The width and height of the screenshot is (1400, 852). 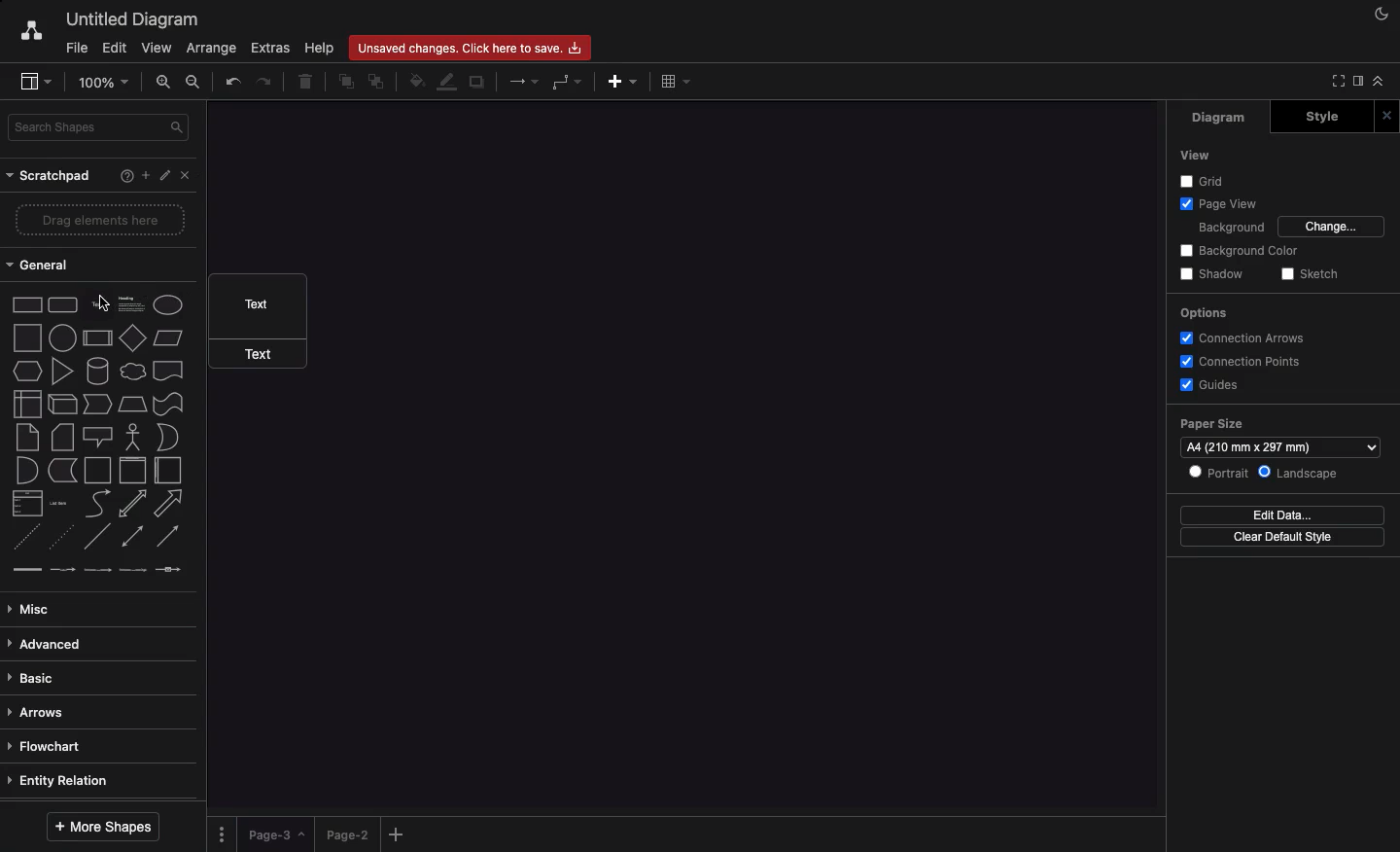 I want to click on File, so click(x=75, y=47).